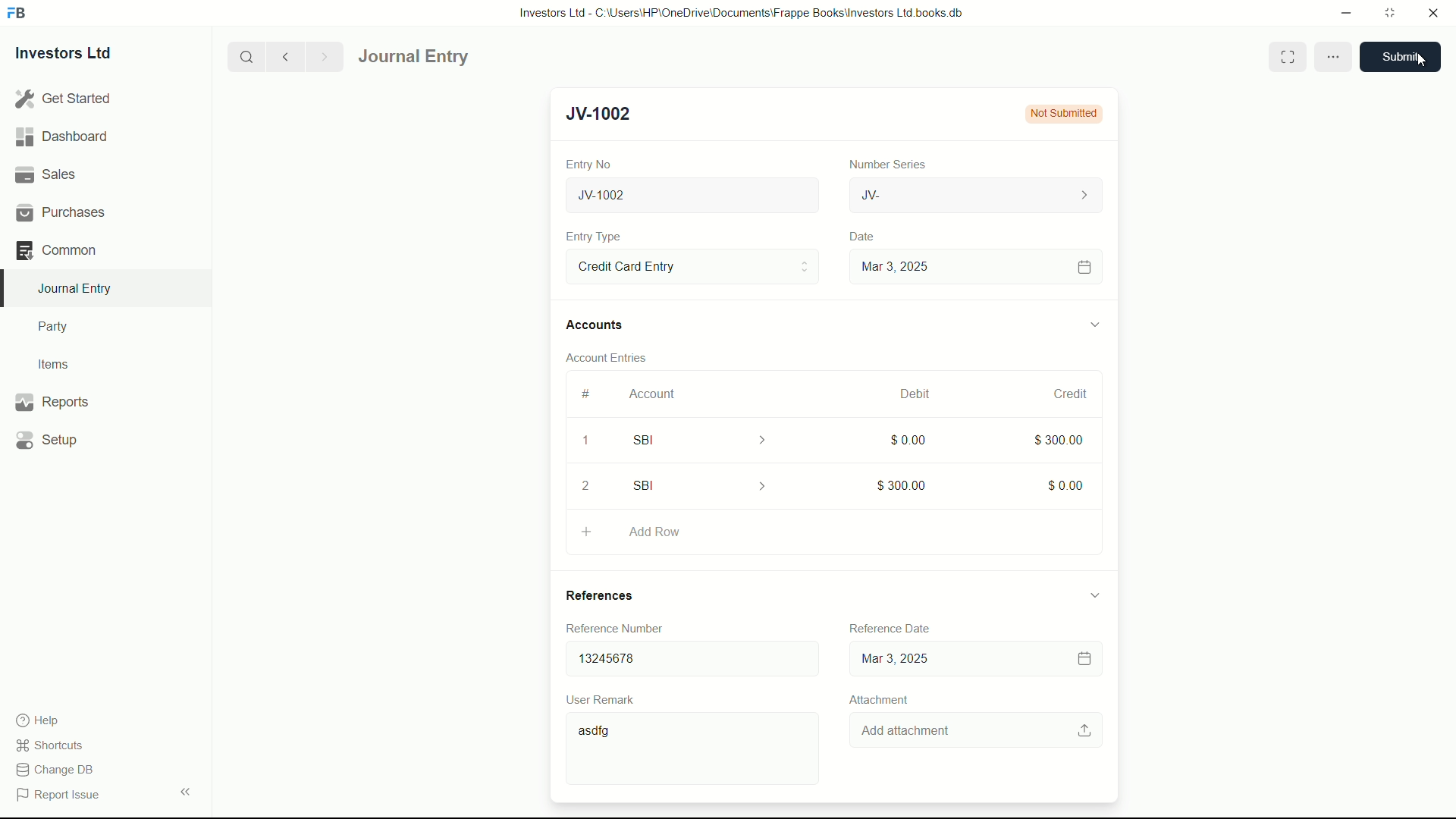 The width and height of the screenshot is (1456, 819). I want to click on Investors Ltd, so click(77, 55).